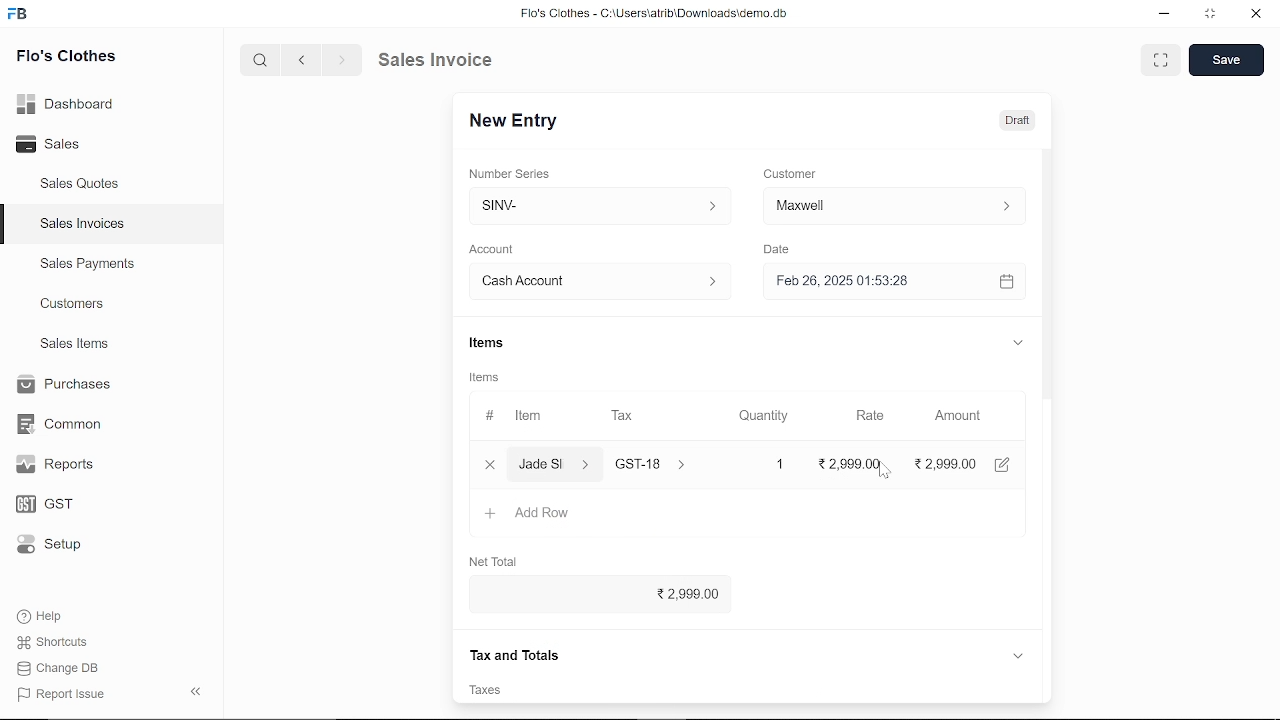  I want to click on Sales Invoice, so click(450, 59).